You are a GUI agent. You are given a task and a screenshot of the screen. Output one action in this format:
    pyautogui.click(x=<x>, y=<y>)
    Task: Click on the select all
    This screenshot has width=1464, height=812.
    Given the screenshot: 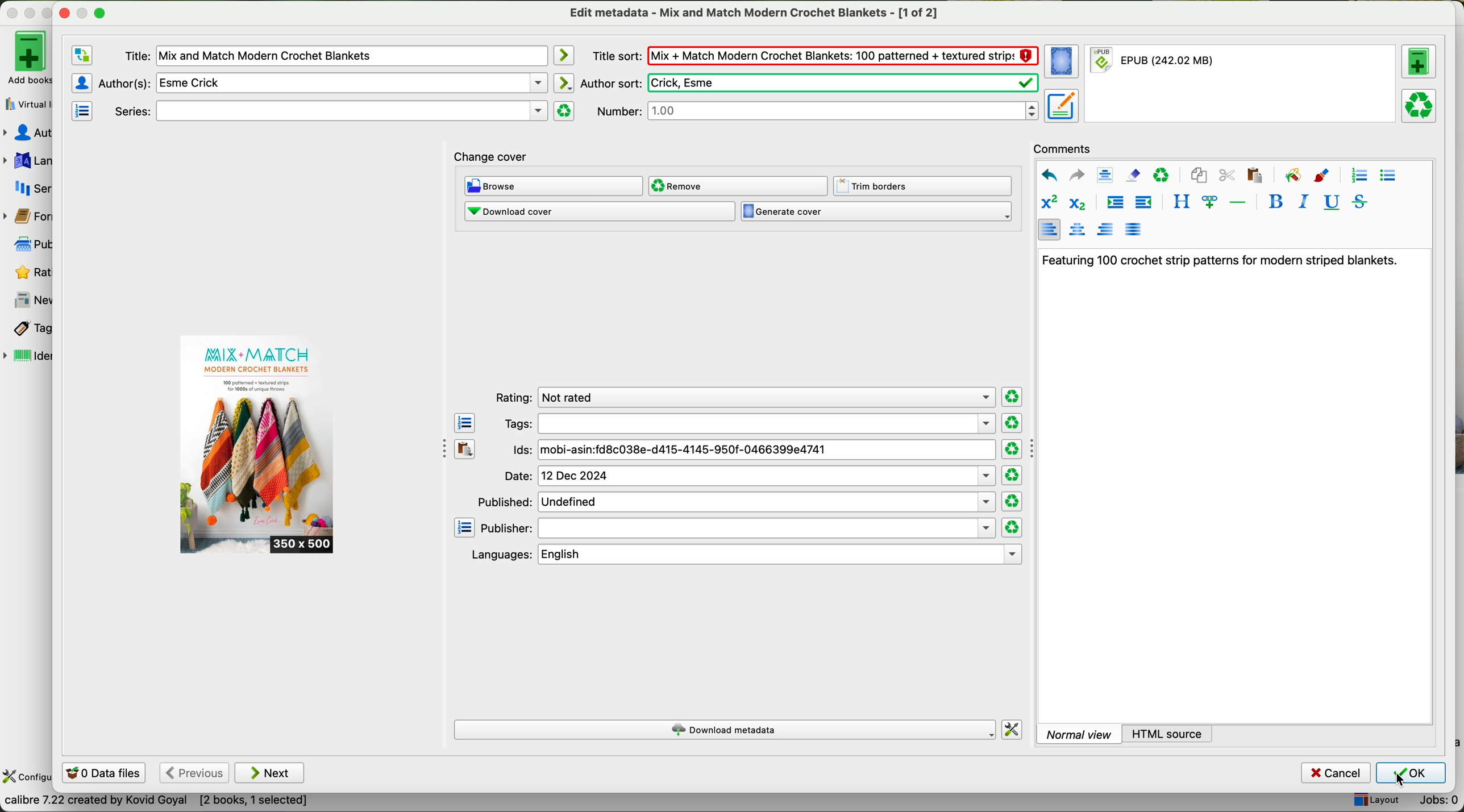 What is the action you would take?
    pyautogui.click(x=1105, y=176)
    